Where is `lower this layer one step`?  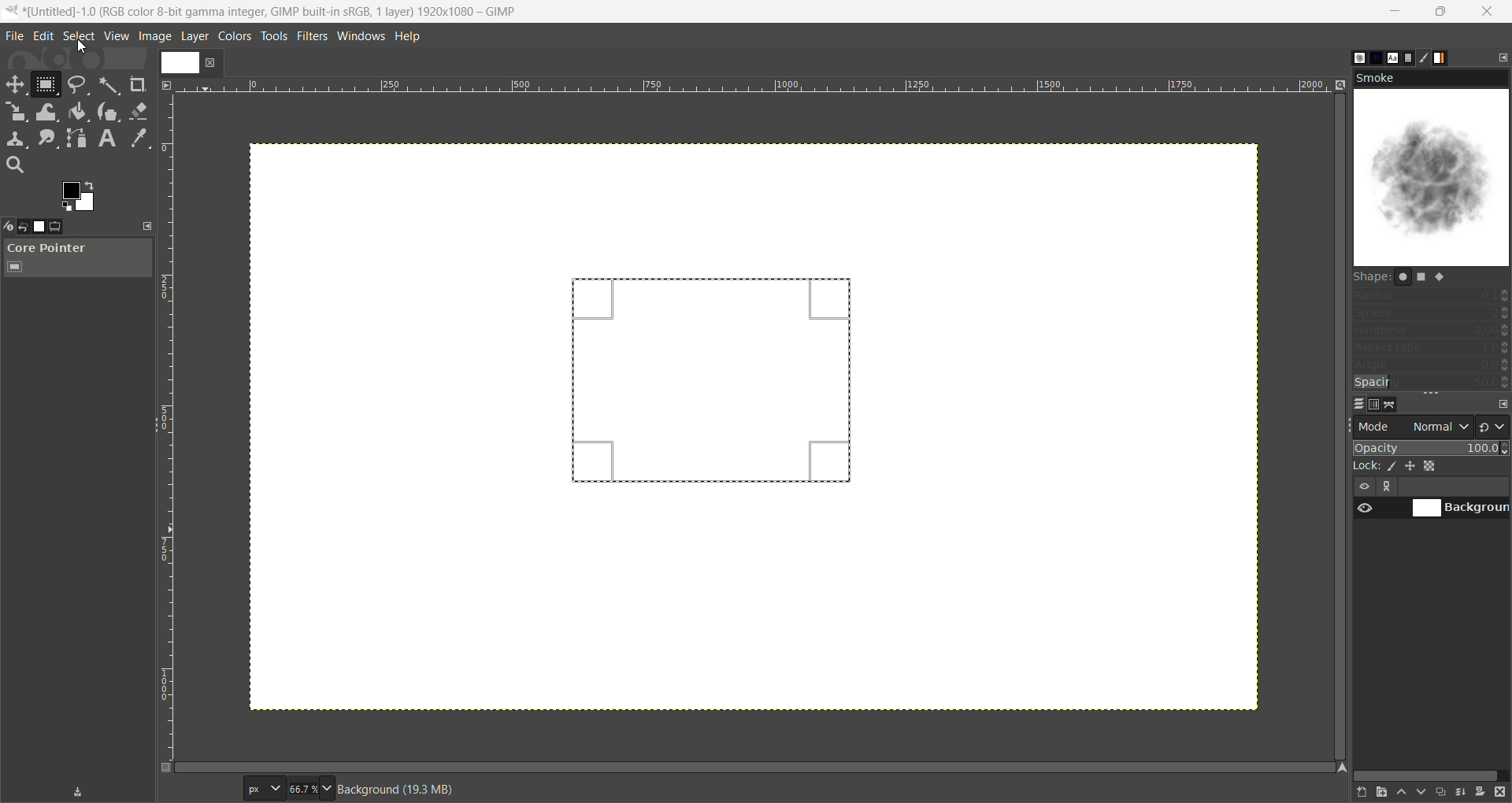
lower this layer one step is located at coordinates (1421, 792).